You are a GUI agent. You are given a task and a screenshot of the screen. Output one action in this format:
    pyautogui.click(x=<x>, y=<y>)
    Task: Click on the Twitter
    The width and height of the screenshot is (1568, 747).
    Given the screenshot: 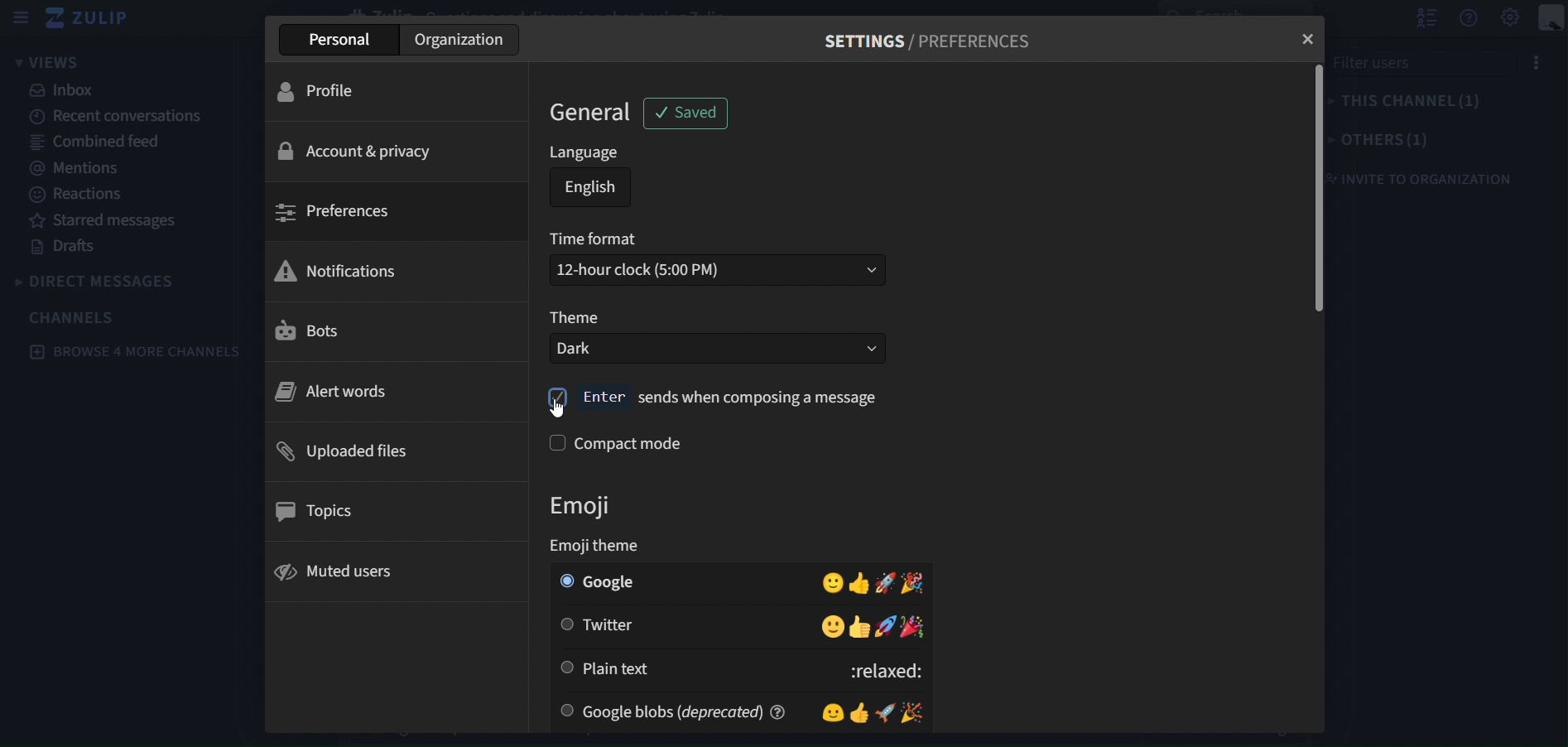 What is the action you would take?
    pyautogui.click(x=695, y=626)
    